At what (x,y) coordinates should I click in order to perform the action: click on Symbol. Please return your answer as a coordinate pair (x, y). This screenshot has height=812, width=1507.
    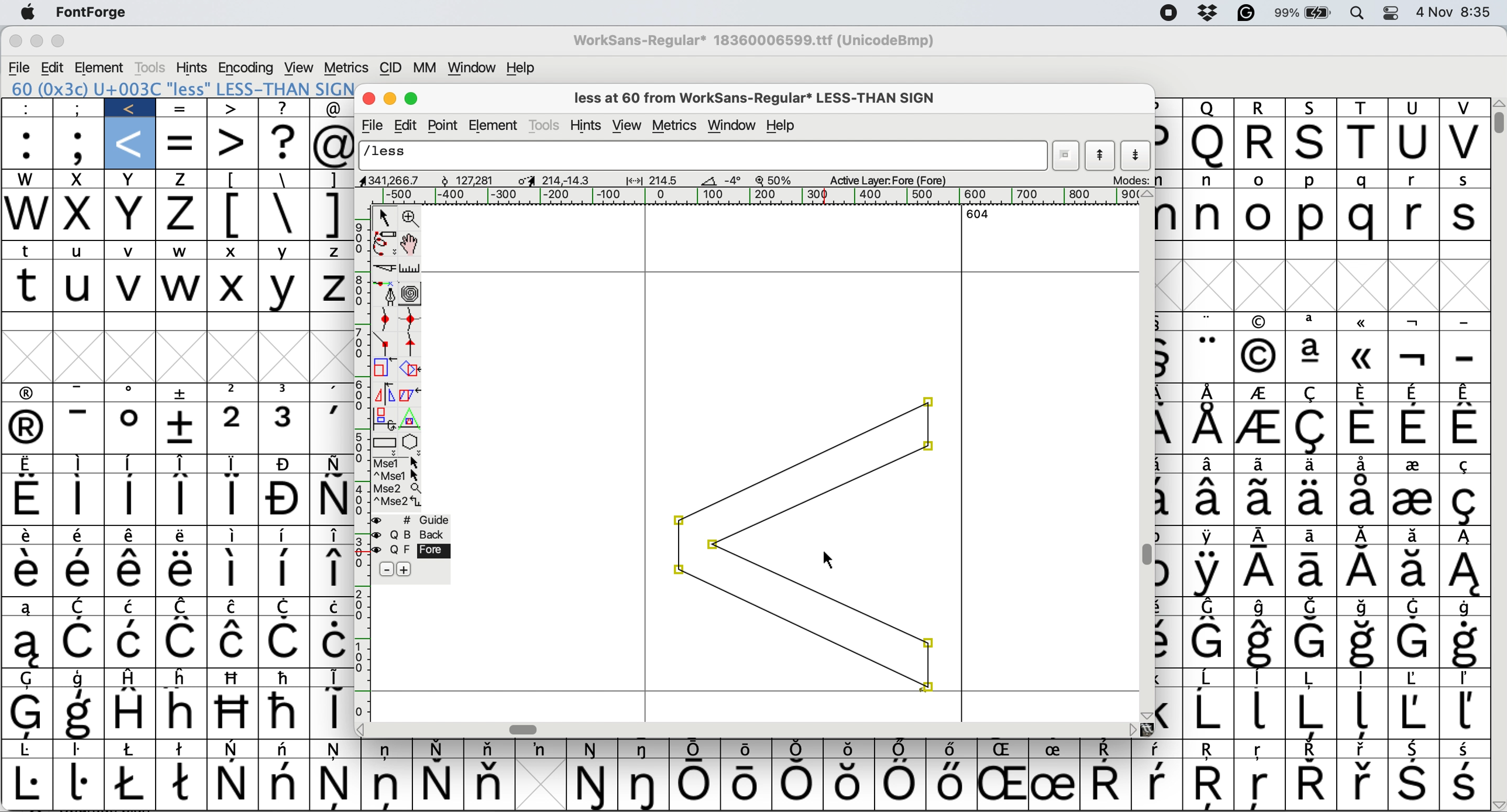
    Looking at the image, I should click on (648, 750).